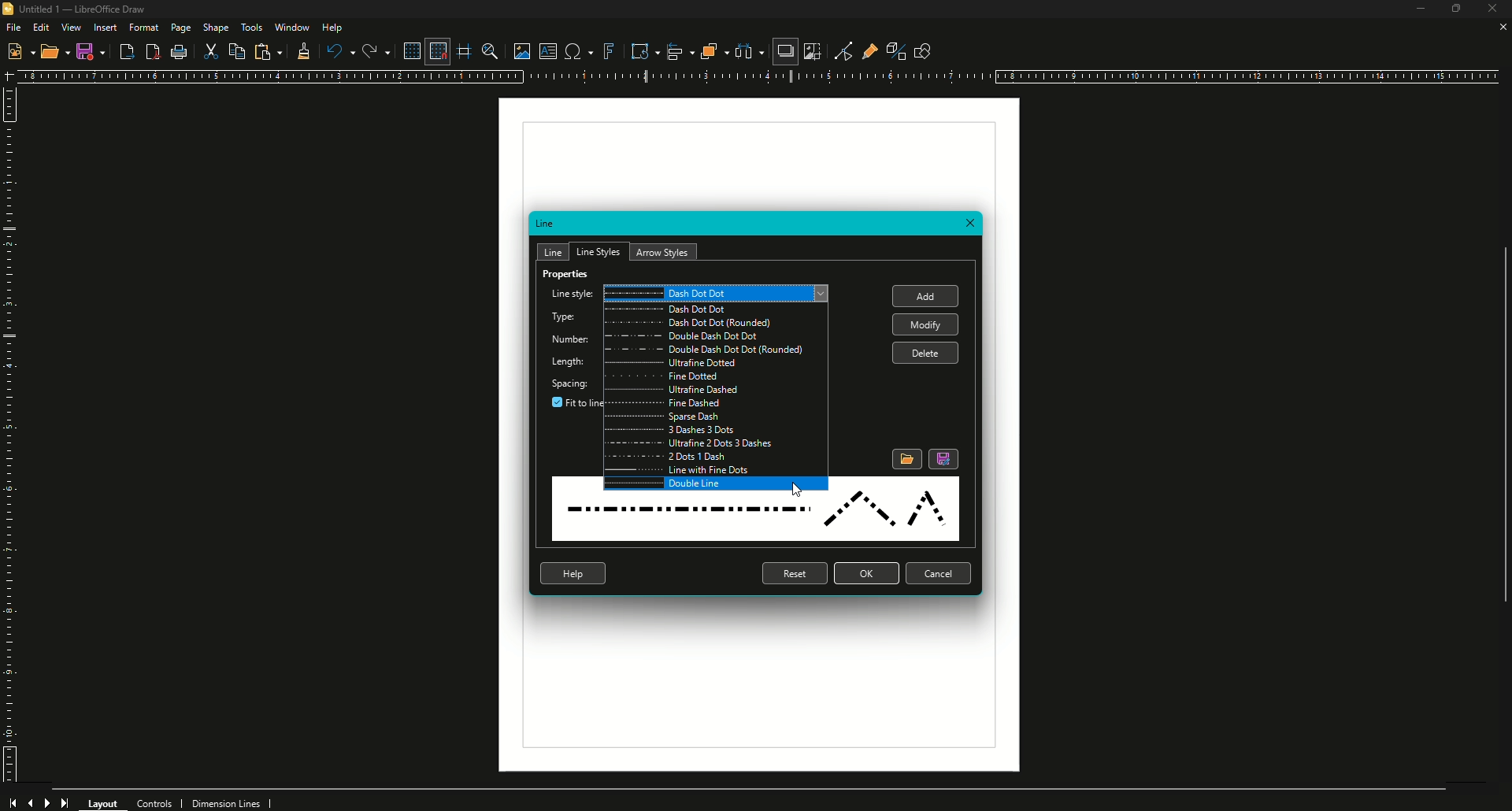 The height and width of the screenshot is (811, 1512). What do you see at coordinates (717, 405) in the screenshot?
I see `Fine Dashed` at bounding box center [717, 405].